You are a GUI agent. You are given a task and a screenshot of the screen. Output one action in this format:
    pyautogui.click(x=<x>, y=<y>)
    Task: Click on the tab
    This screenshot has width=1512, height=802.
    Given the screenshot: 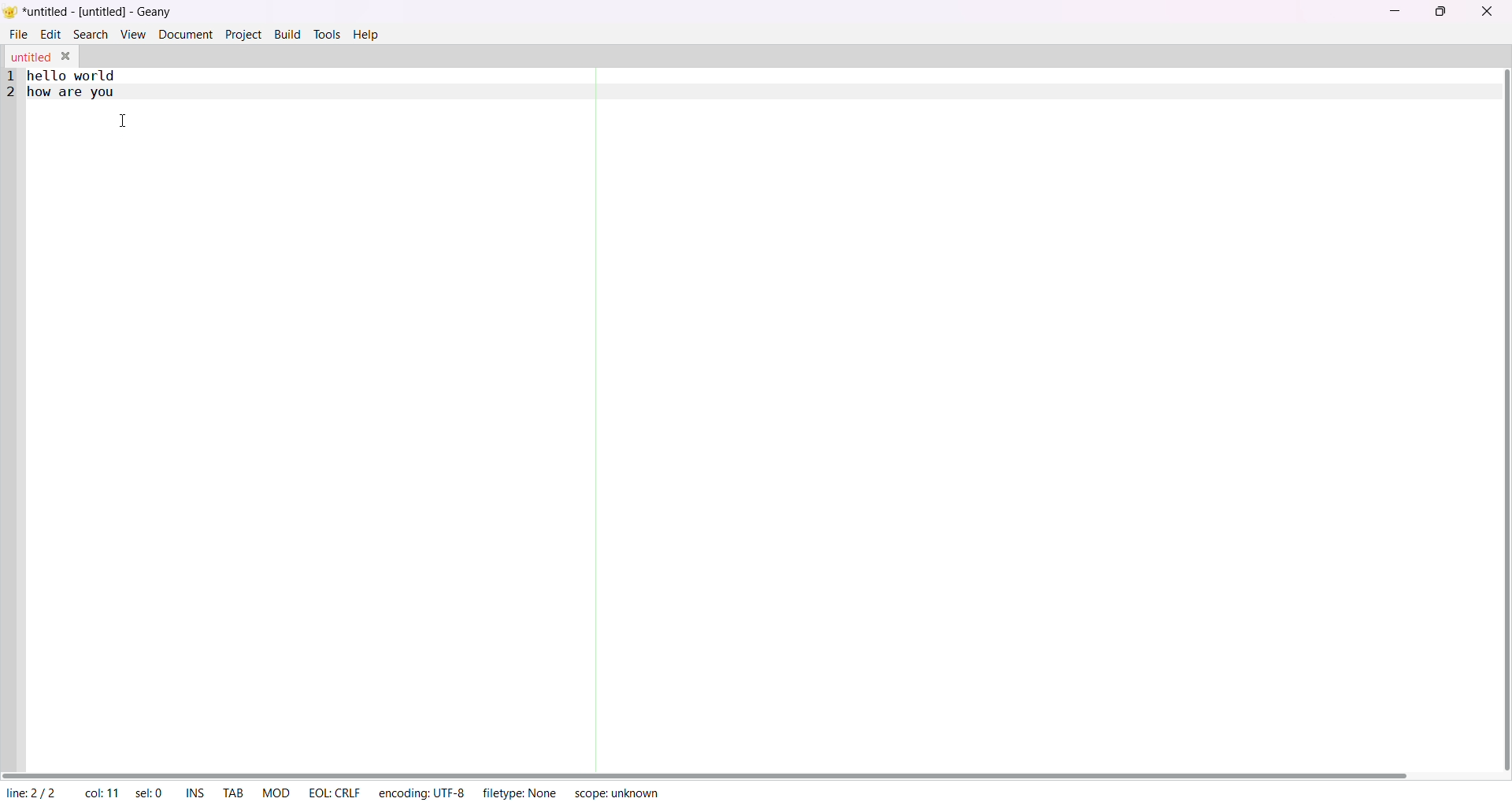 What is the action you would take?
    pyautogui.click(x=233, y=790)
    